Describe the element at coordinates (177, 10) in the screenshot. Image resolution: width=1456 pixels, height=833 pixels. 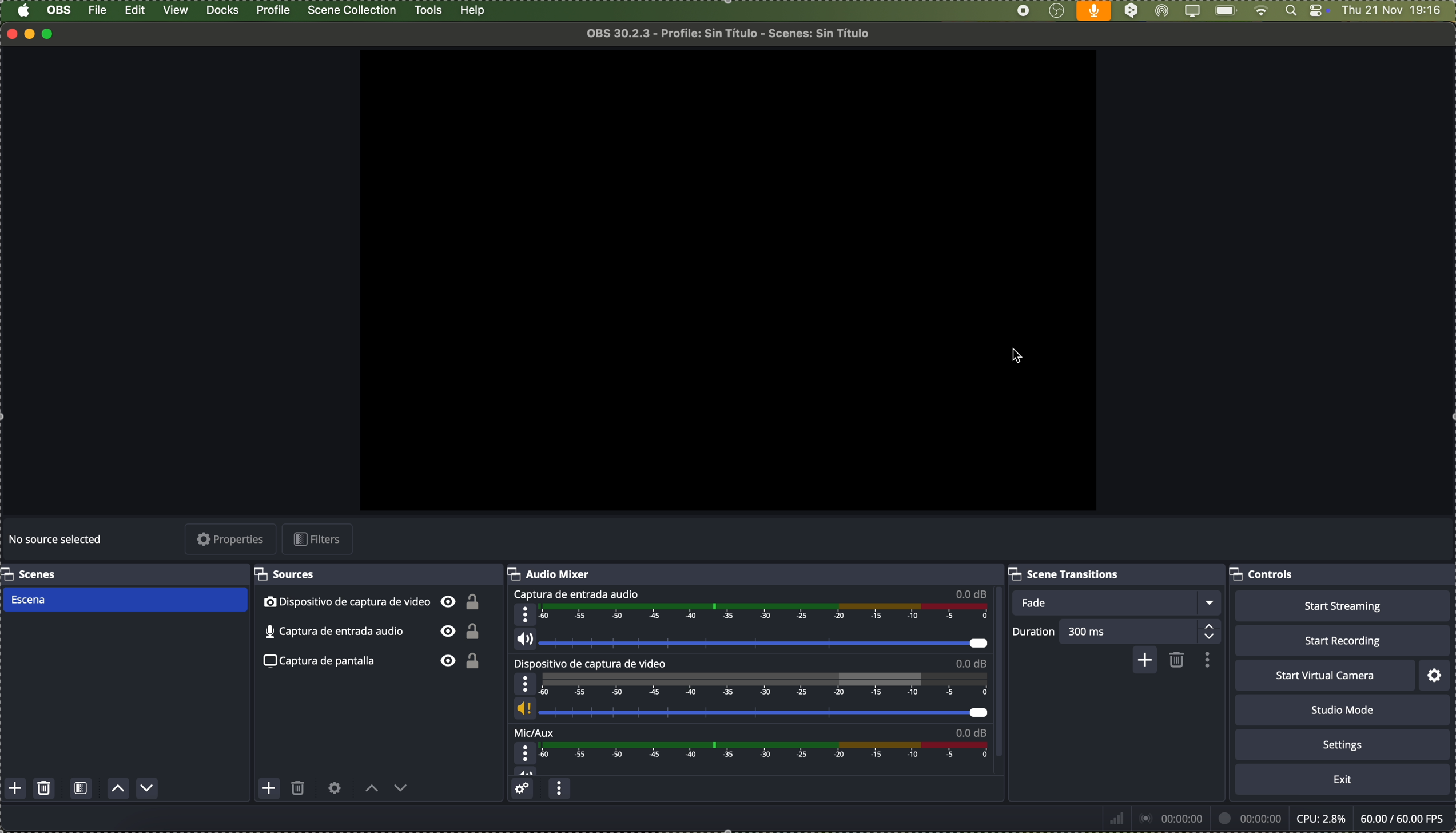
I see `view` at that location.